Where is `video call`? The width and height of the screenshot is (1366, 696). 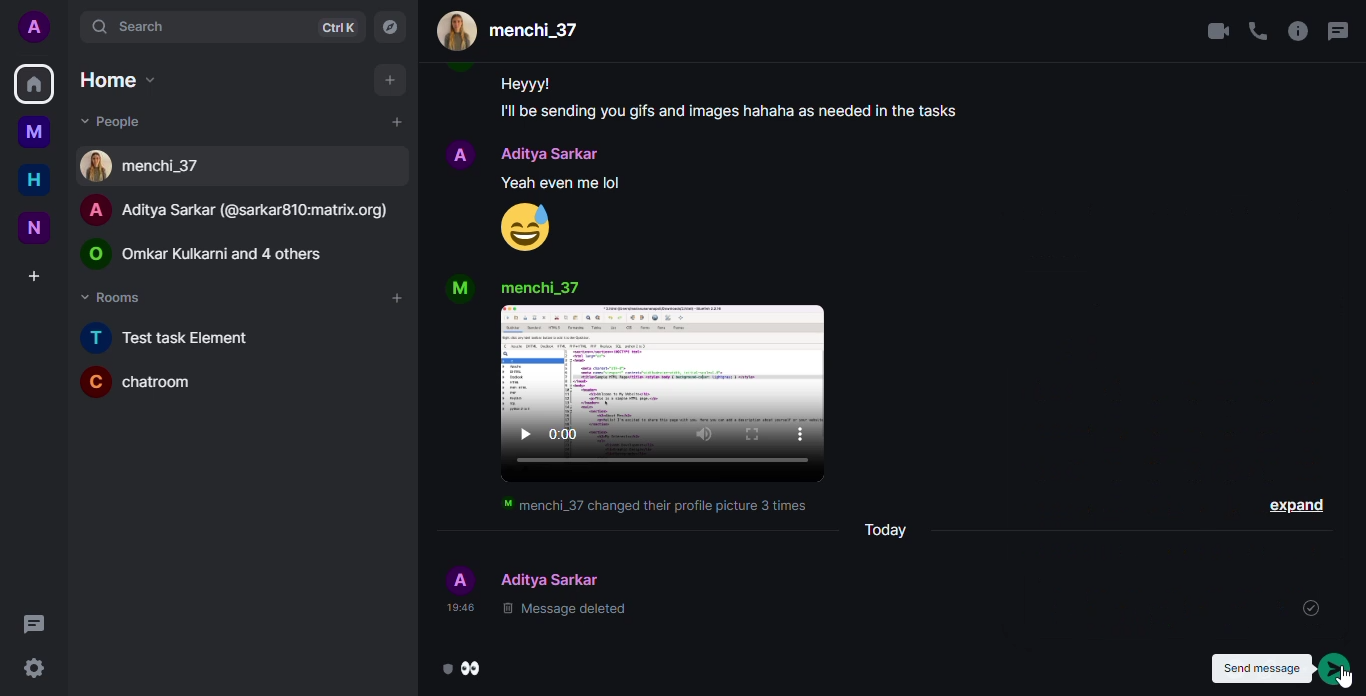 video call is located at coordinates (1210, 30).